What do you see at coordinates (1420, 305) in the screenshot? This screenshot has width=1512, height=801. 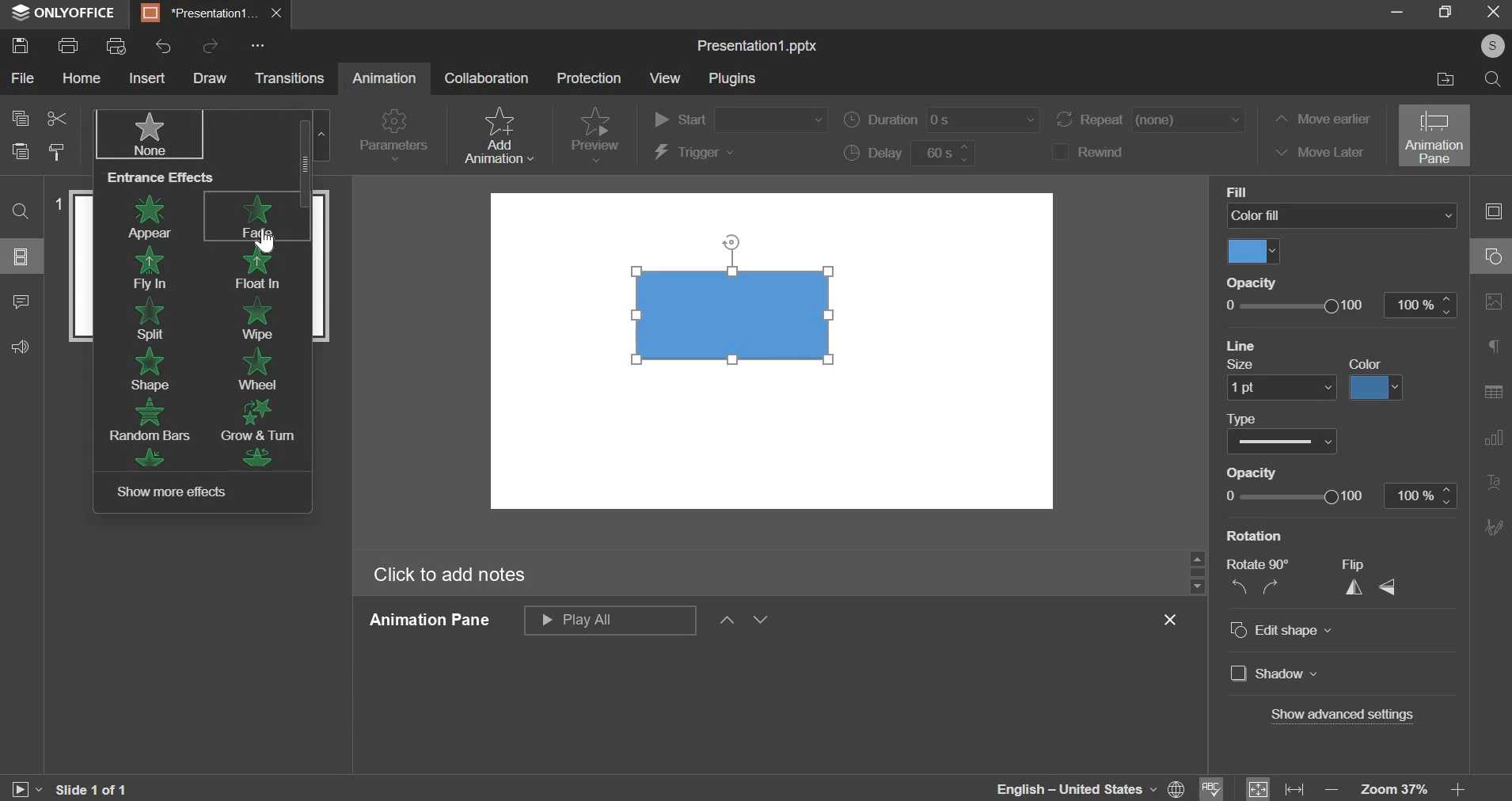 I see `100%` at bounding box center [1420, 305].